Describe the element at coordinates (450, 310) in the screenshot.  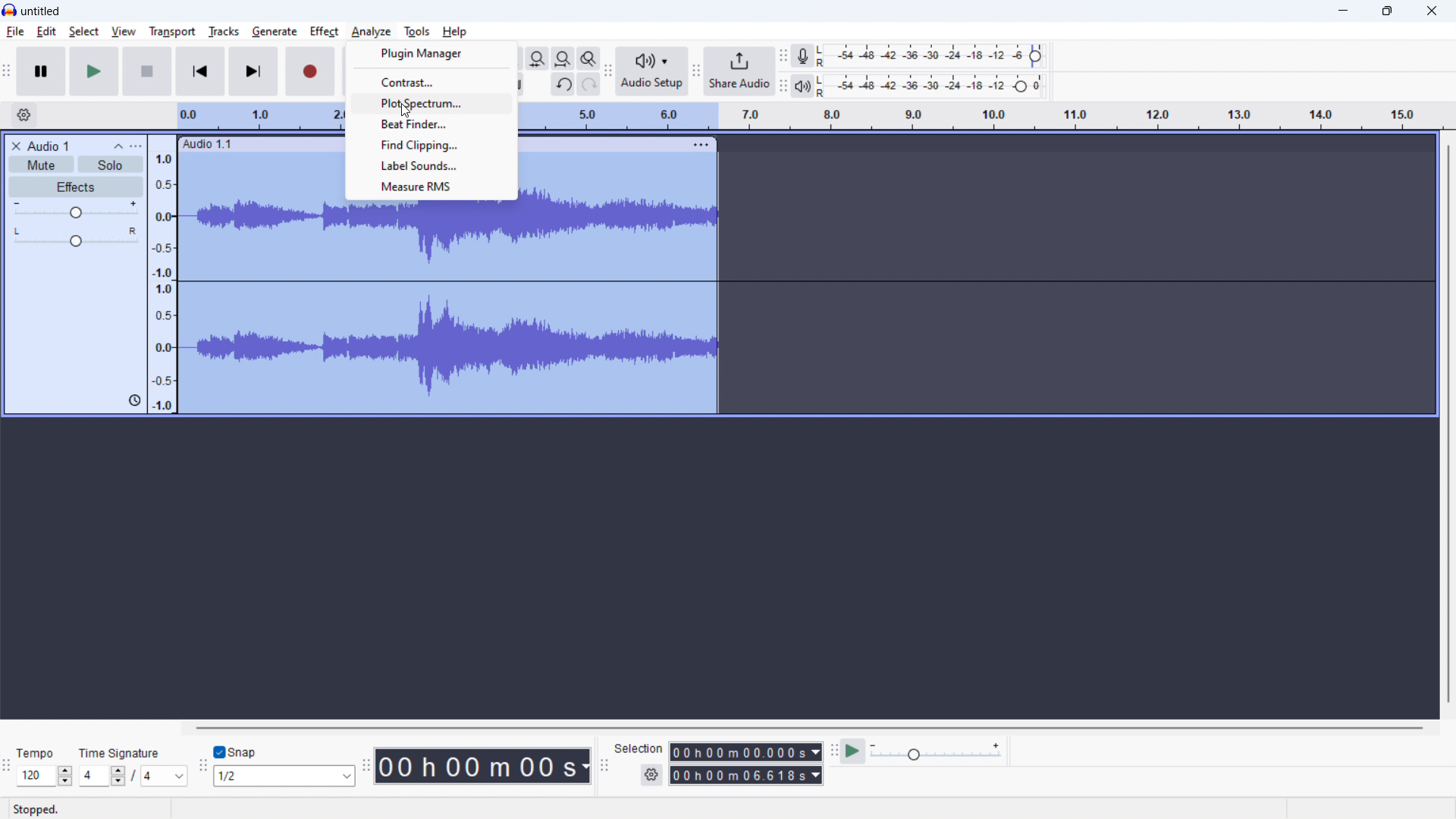
I see `track selected` at that location.